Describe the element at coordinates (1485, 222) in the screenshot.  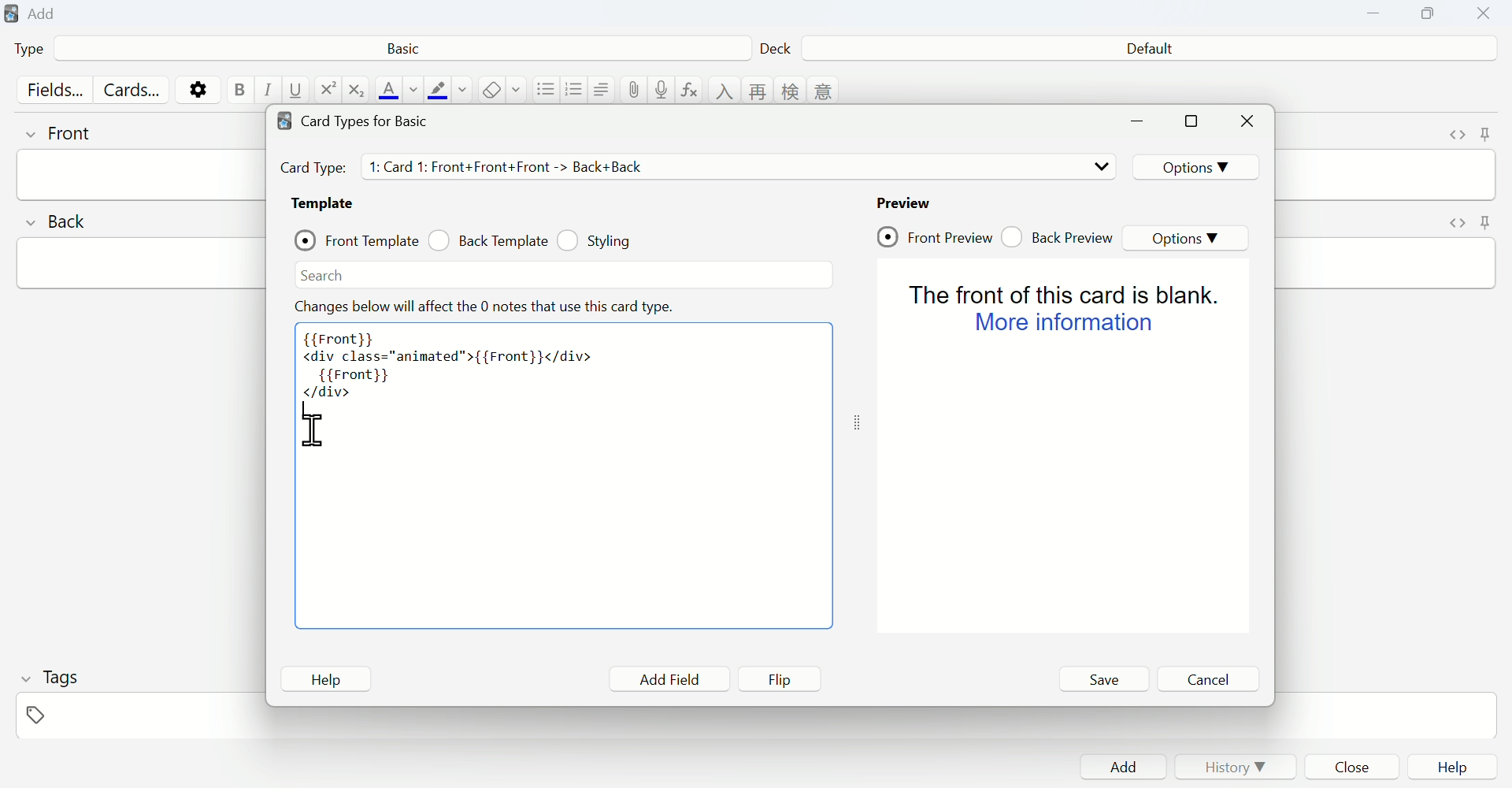
I see `toggle sticky` at that location.